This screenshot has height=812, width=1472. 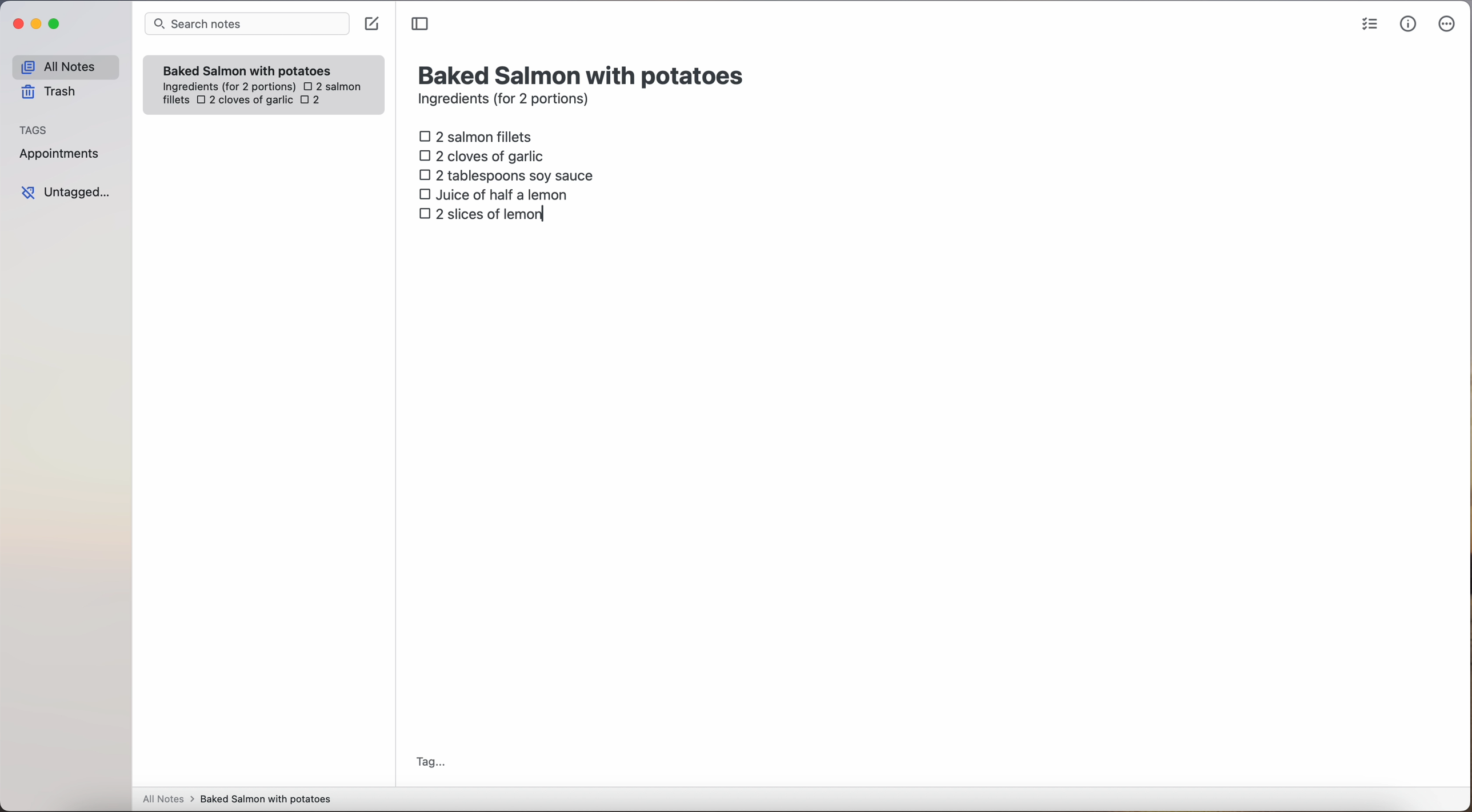 I want to click on 2 cloves of garlic, so click(x=245, y=101).